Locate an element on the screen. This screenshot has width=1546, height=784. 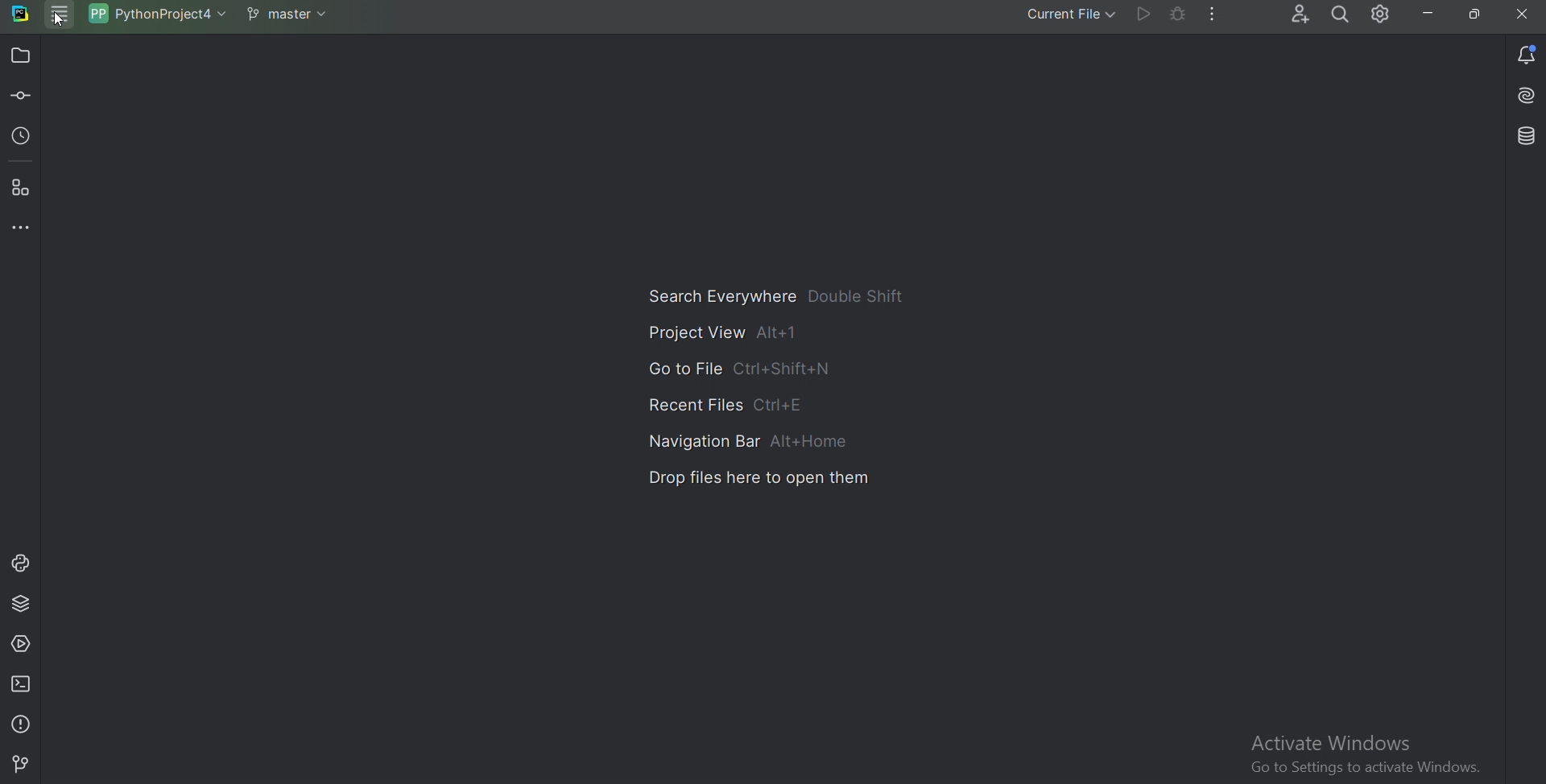
Debug is located at coordinates (1180, 14).